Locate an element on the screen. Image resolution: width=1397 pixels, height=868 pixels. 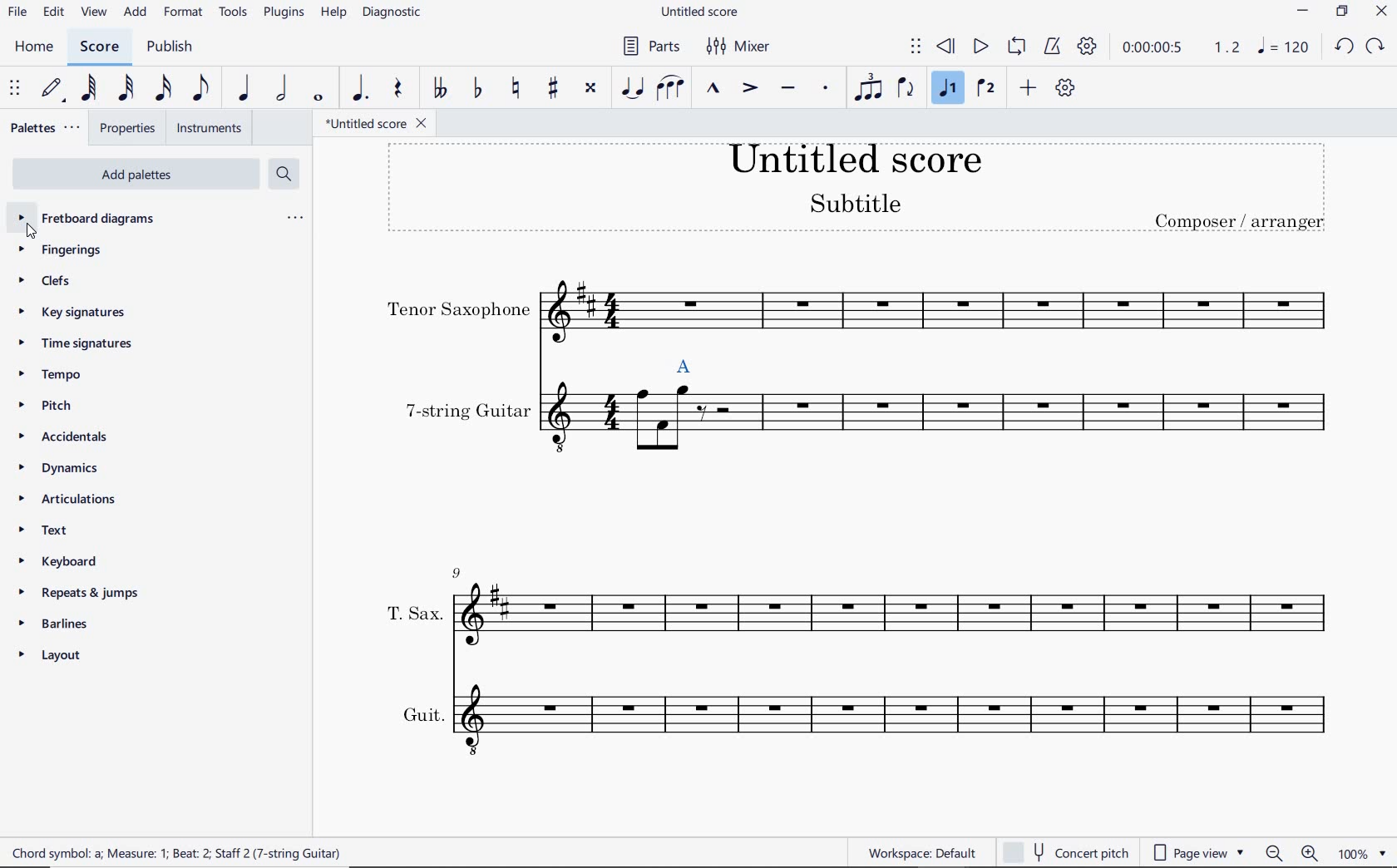
ARTICULATIONS is located at coordinates (72, 497).